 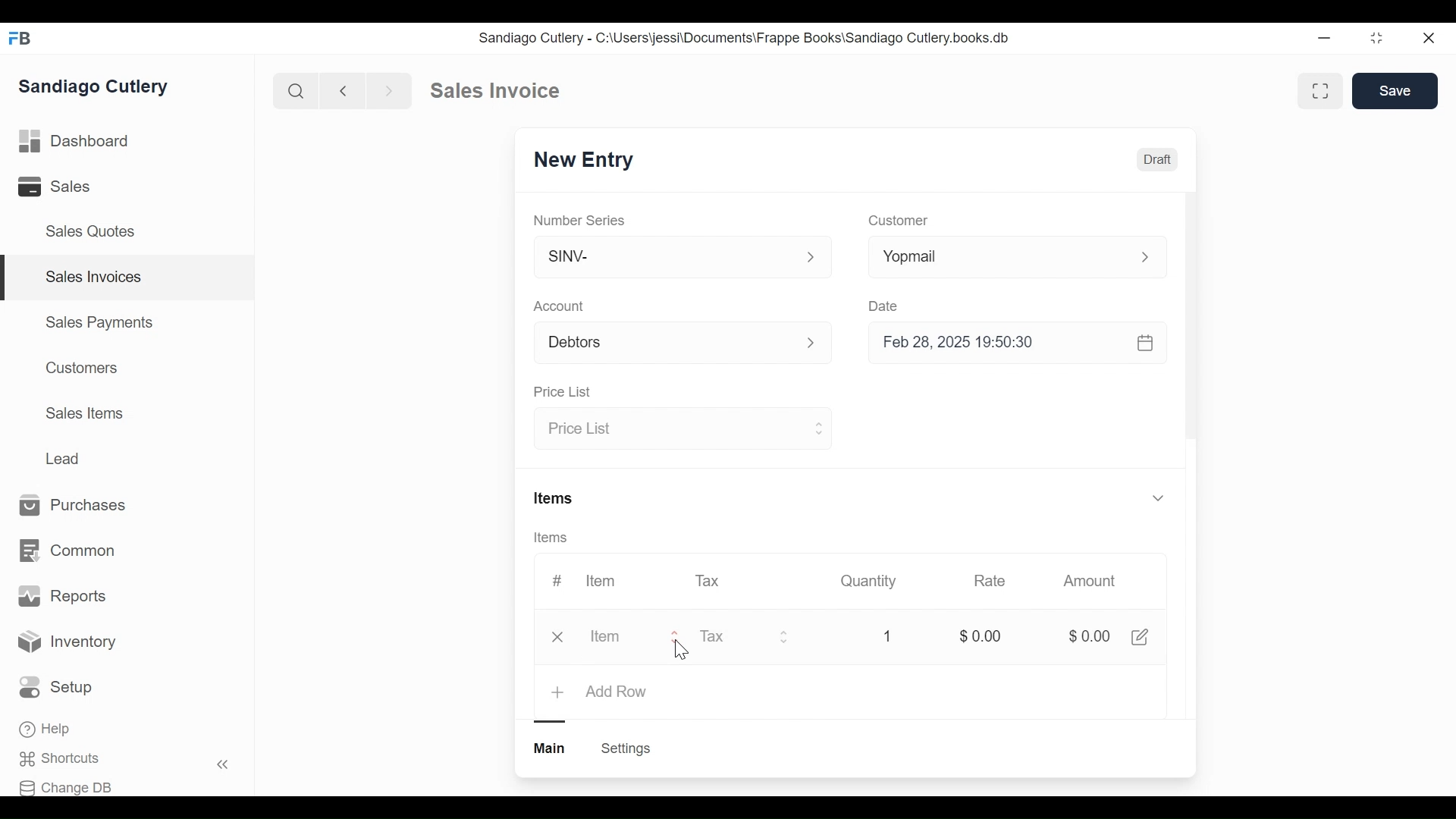 I want to click on Account, so click(x=560, y=306).